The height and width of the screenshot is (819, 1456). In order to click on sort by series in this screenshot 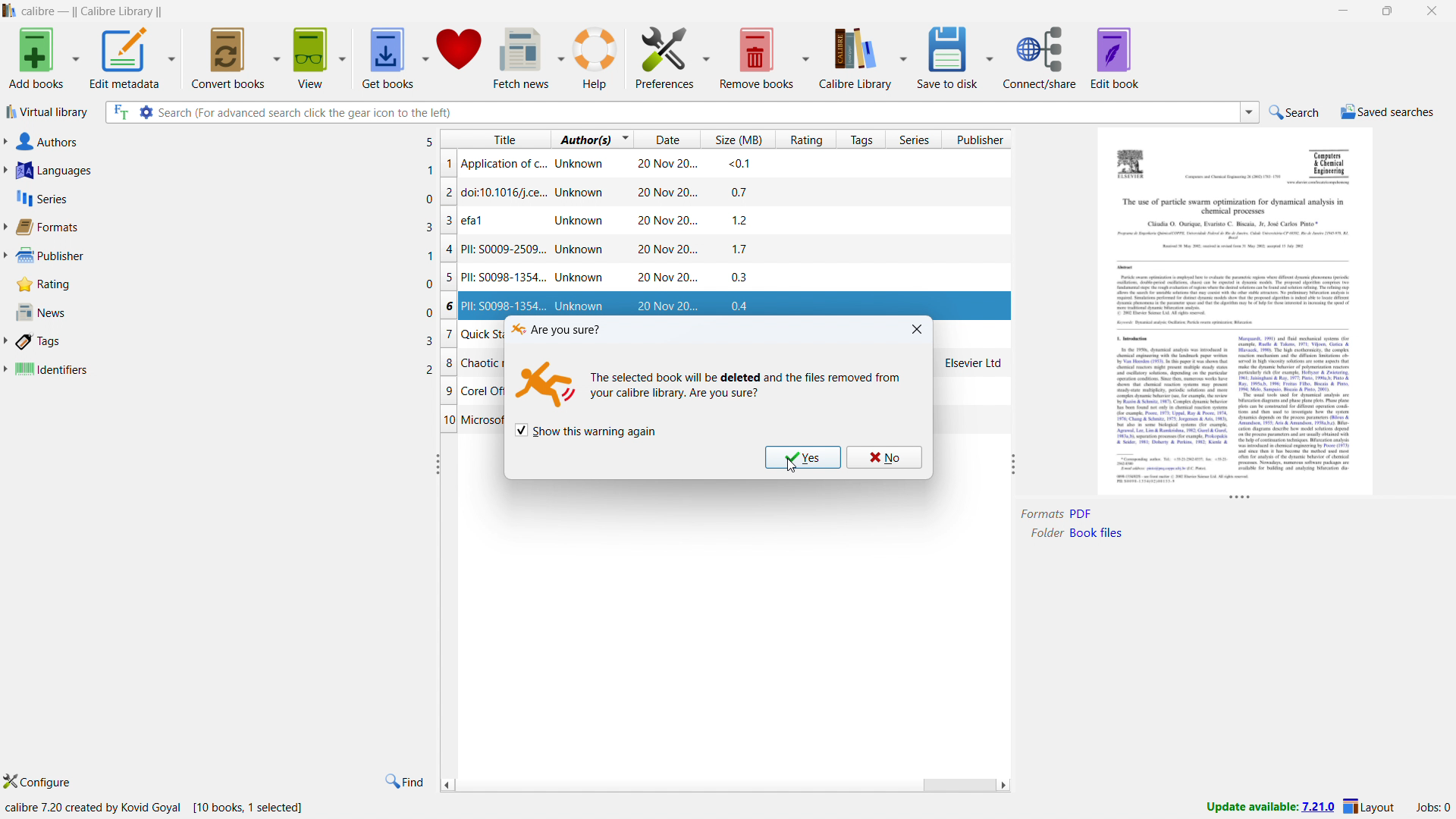, I will do `click(912, 139)`.